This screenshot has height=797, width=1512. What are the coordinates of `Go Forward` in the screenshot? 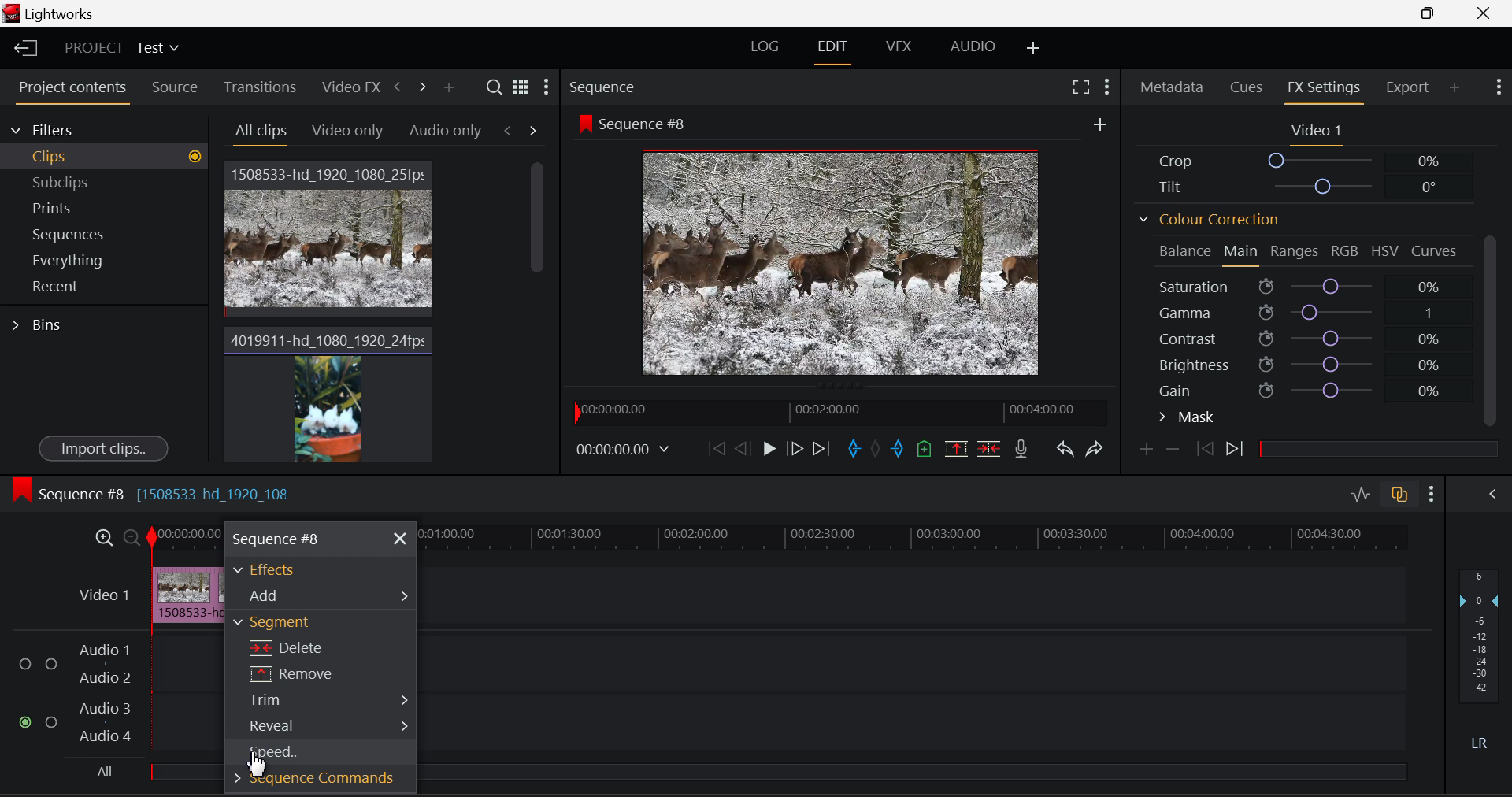 It's located at (798, 449).